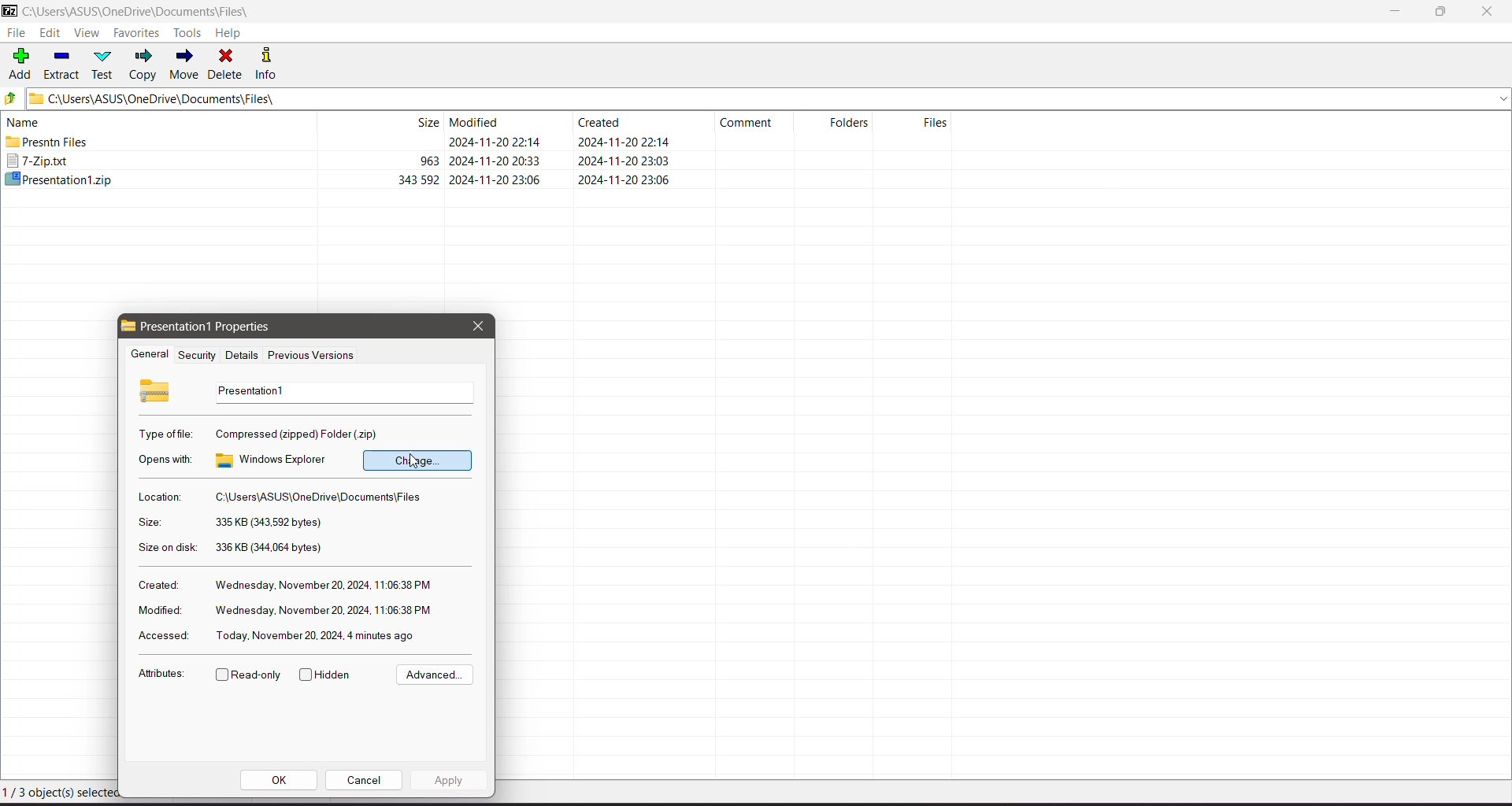  Describe the element at coordinates (16, 33) in the screenshot. I see `File` at that location.